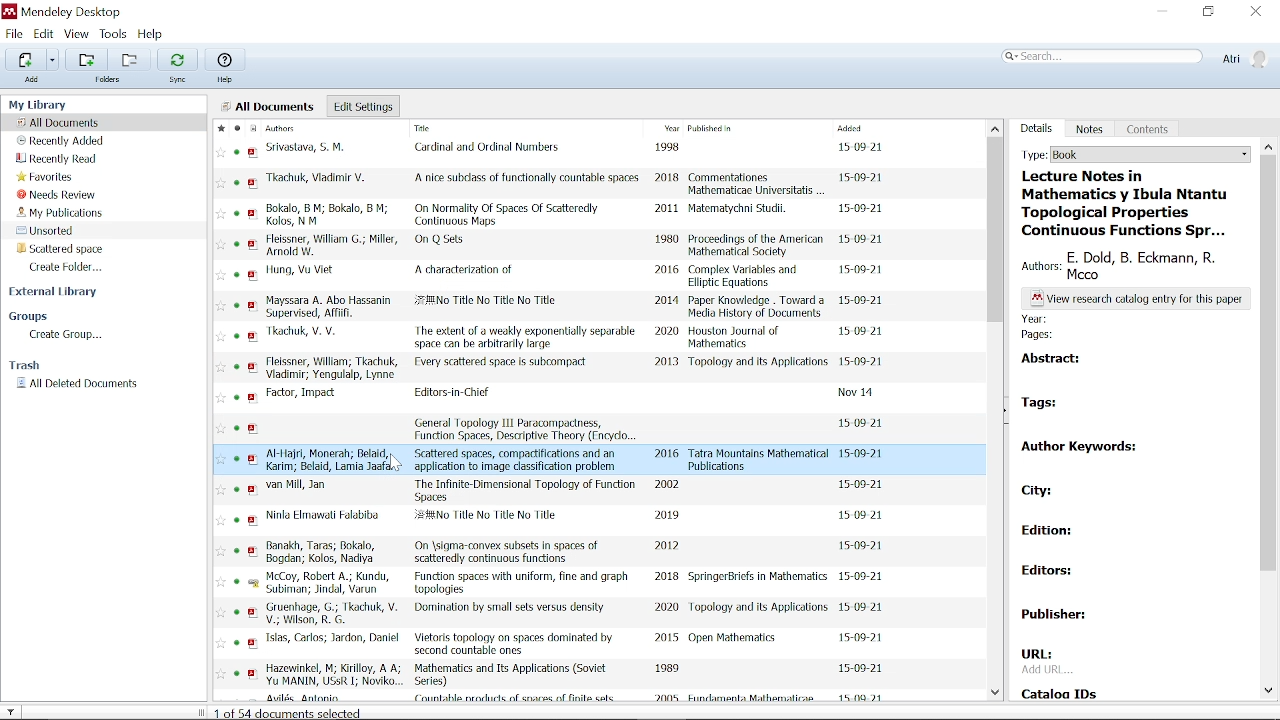 The height and width of the screenshot is (720, 1280). What do you see at coordinates (863, 576) in the screenshot?
I see `date` at bounding box center [863, 576].